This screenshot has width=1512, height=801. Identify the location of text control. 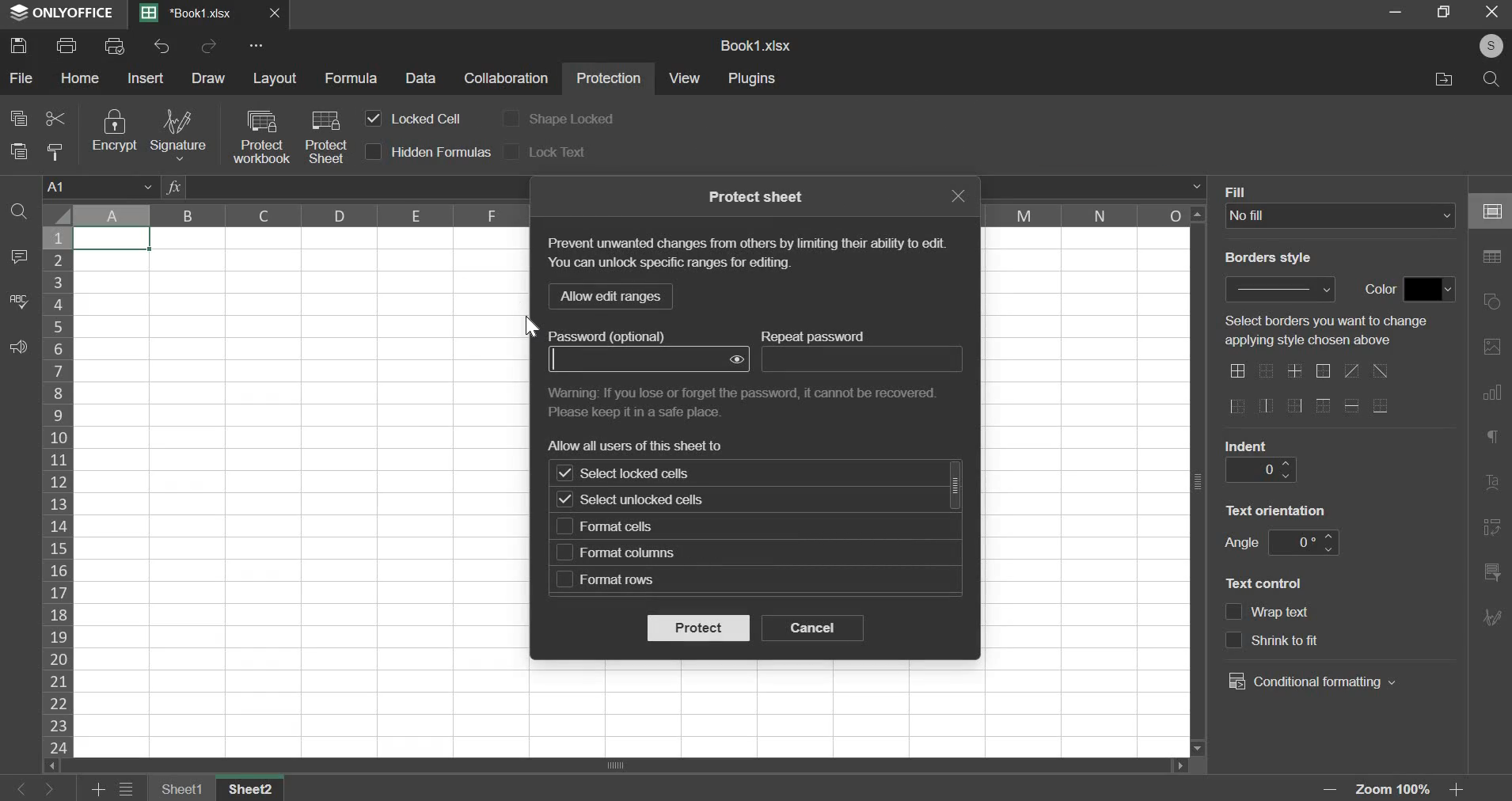
(1267, 582).